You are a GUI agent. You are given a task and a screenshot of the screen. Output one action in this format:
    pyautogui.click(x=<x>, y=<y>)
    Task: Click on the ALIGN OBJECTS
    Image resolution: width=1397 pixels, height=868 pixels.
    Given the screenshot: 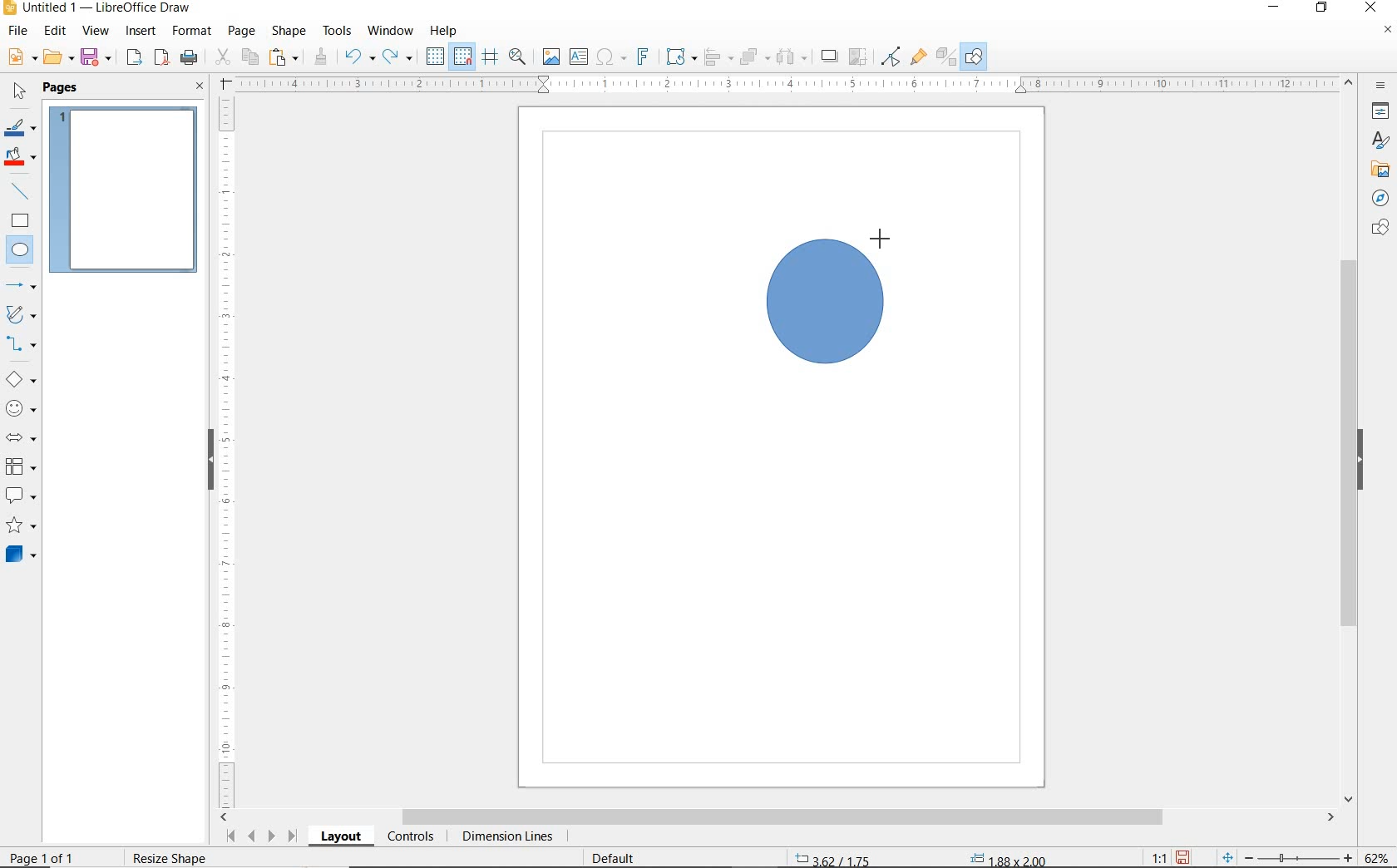 What is the action you would take?
    pyautogui.click(x=717, y=59)
    